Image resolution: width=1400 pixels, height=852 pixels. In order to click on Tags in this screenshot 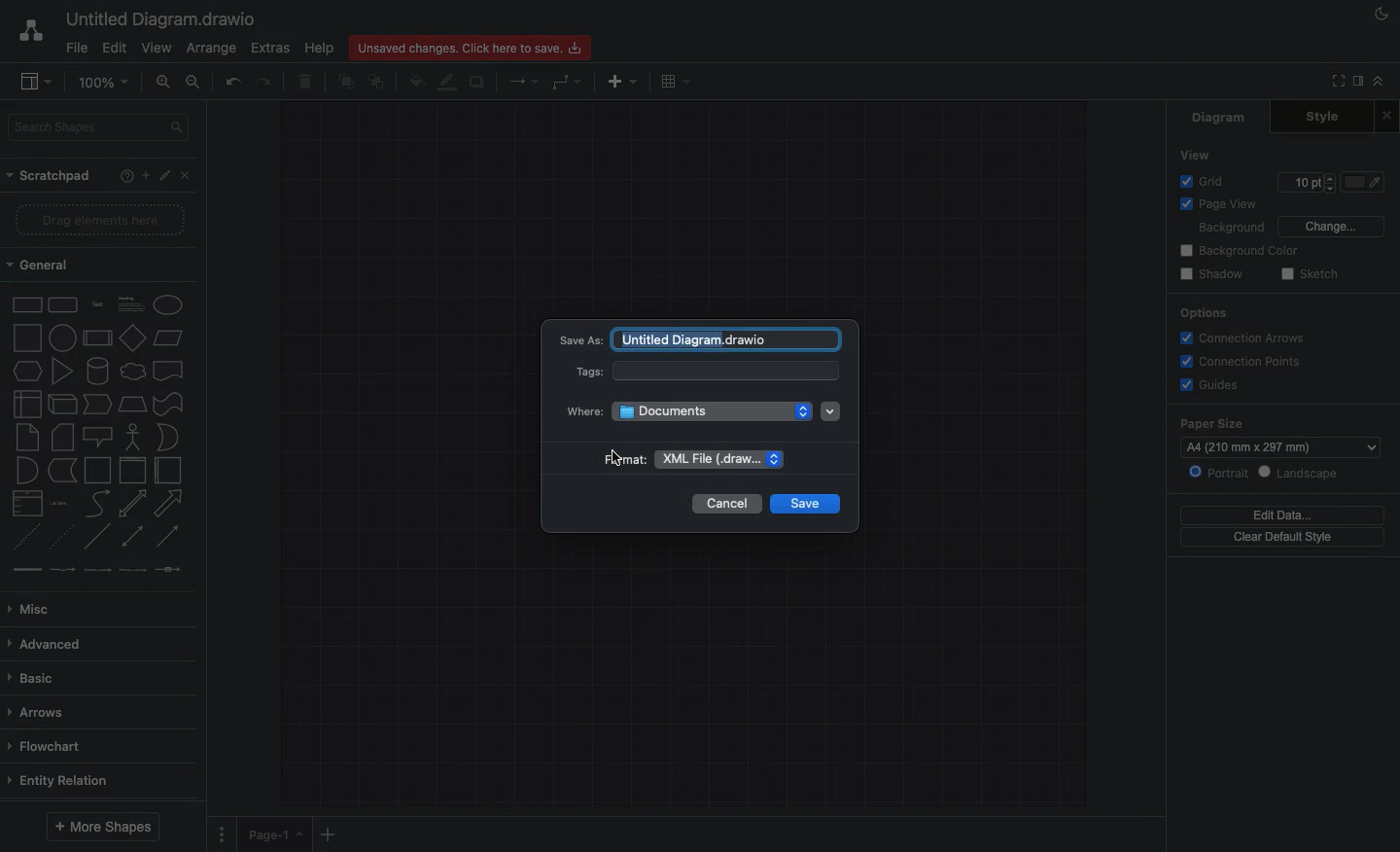, I will do `click(704, 373)`.